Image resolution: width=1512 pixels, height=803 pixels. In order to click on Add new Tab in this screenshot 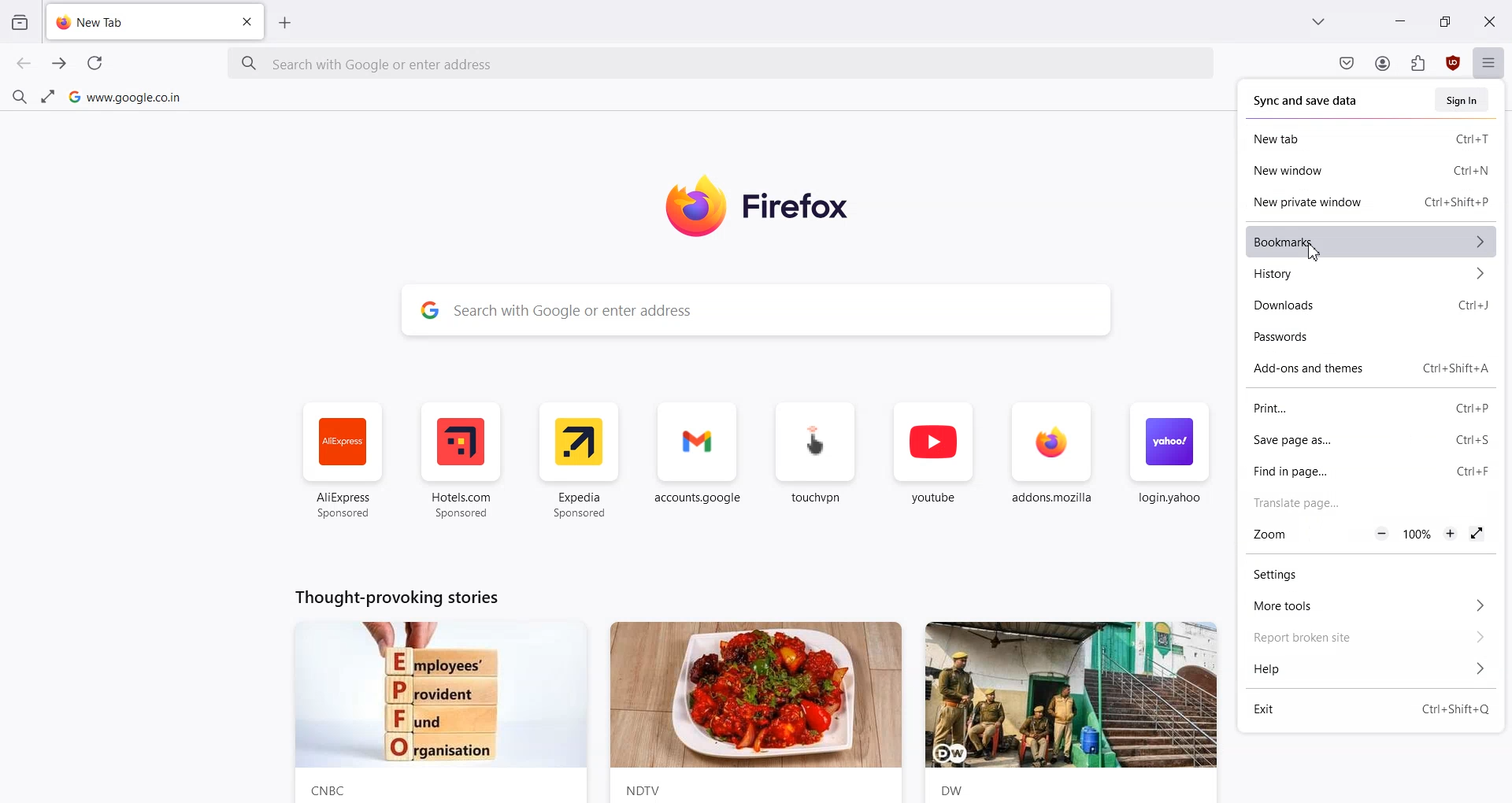, I will do `click(286, 22)`.